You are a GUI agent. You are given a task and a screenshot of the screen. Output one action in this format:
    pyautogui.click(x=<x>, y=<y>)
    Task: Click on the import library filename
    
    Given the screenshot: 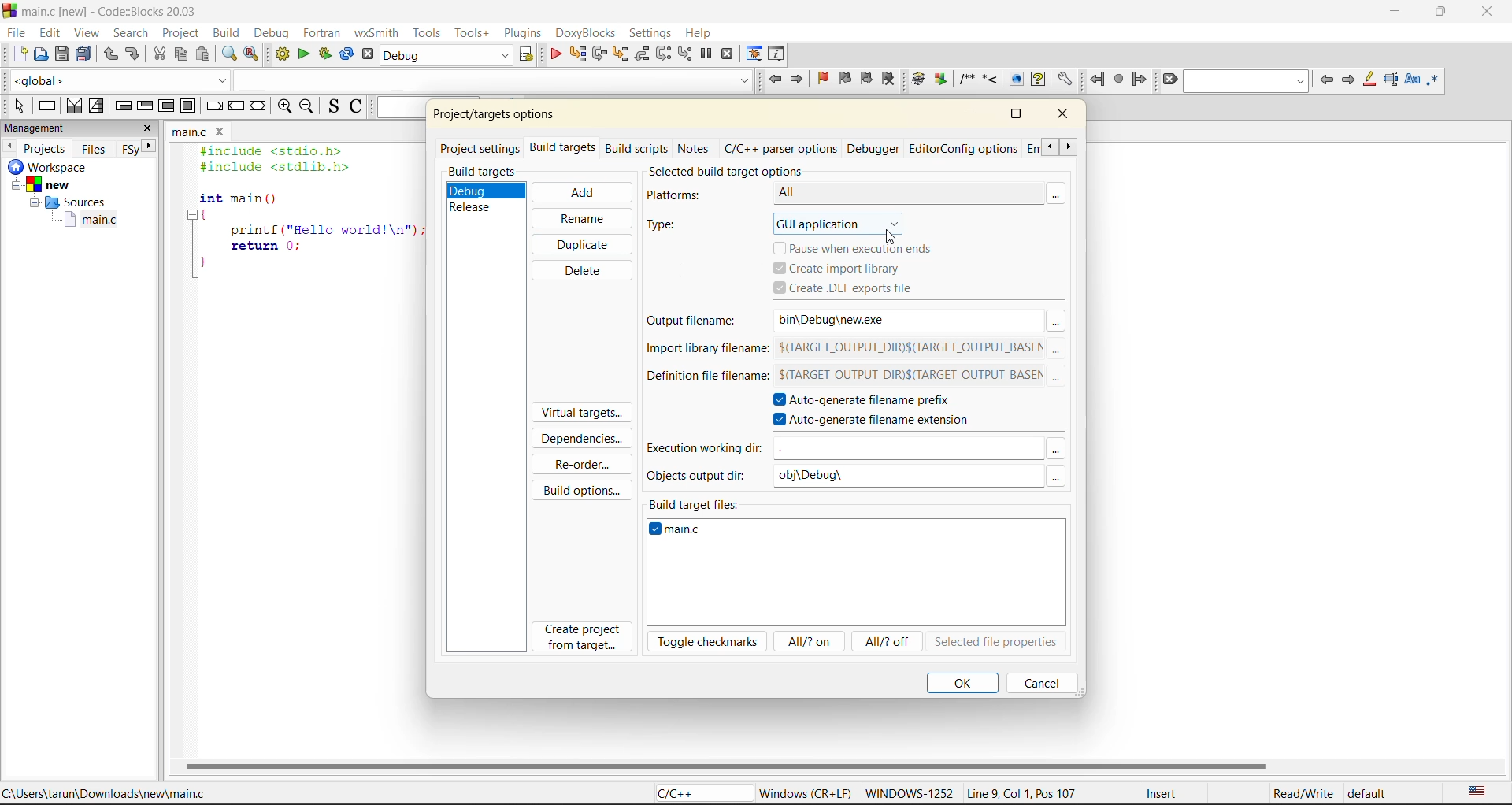 What is the action you would take?
    pyautogui.click(x=703, y=352)
    